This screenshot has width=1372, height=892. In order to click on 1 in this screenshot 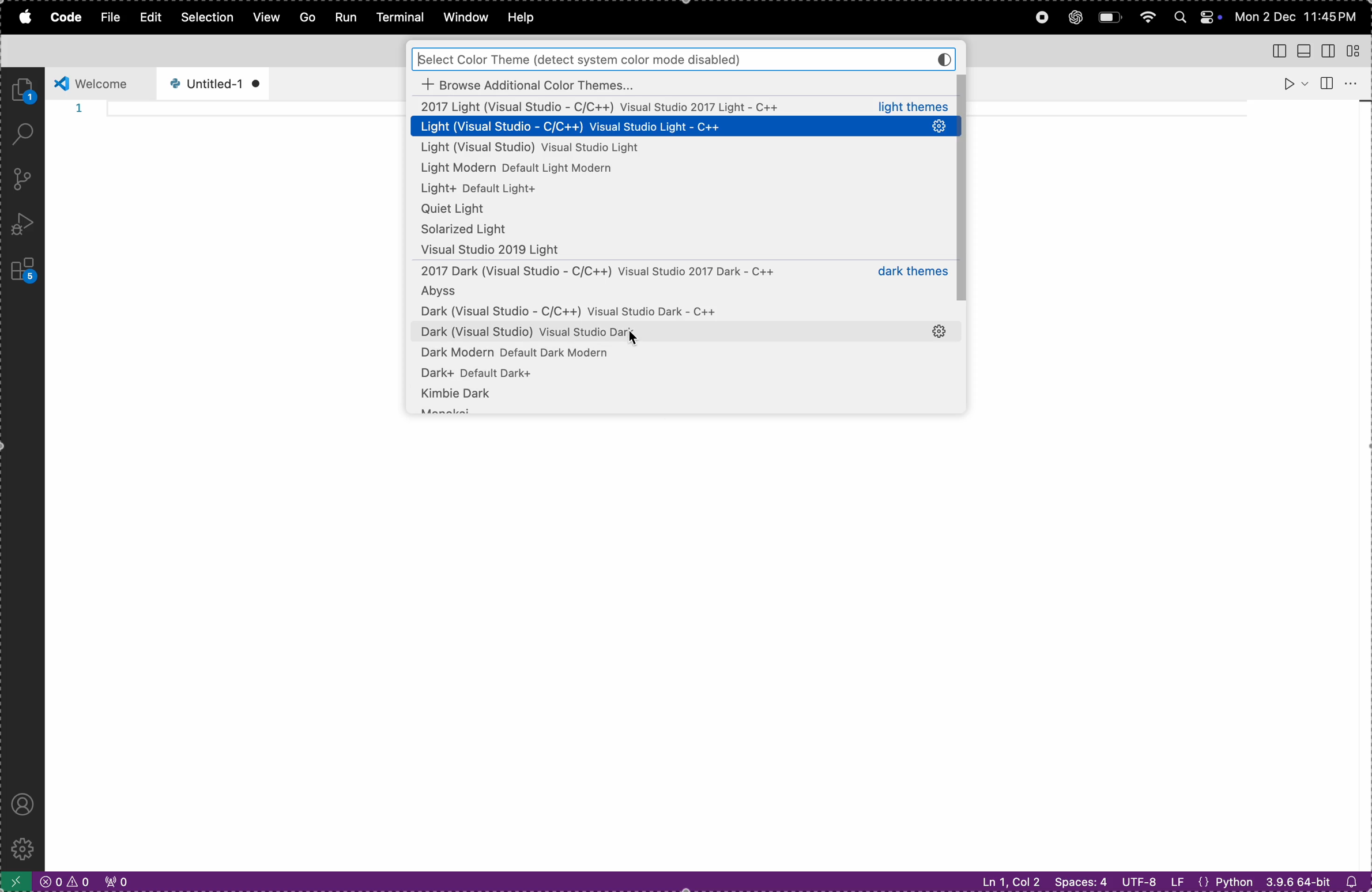, I will do `click(78, 109)`.